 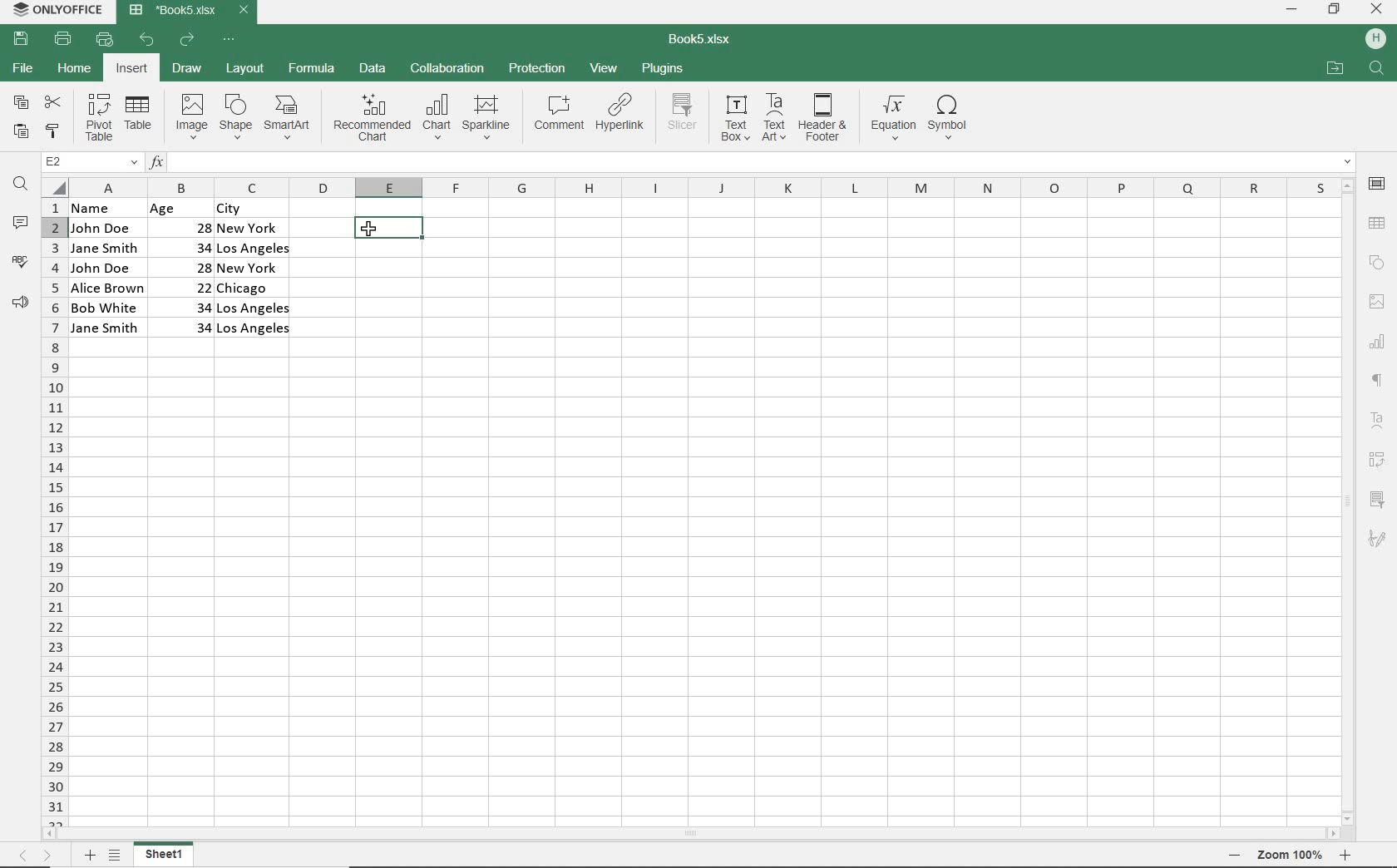 I want to click on Los Angeles, so click(x=254, y=330).